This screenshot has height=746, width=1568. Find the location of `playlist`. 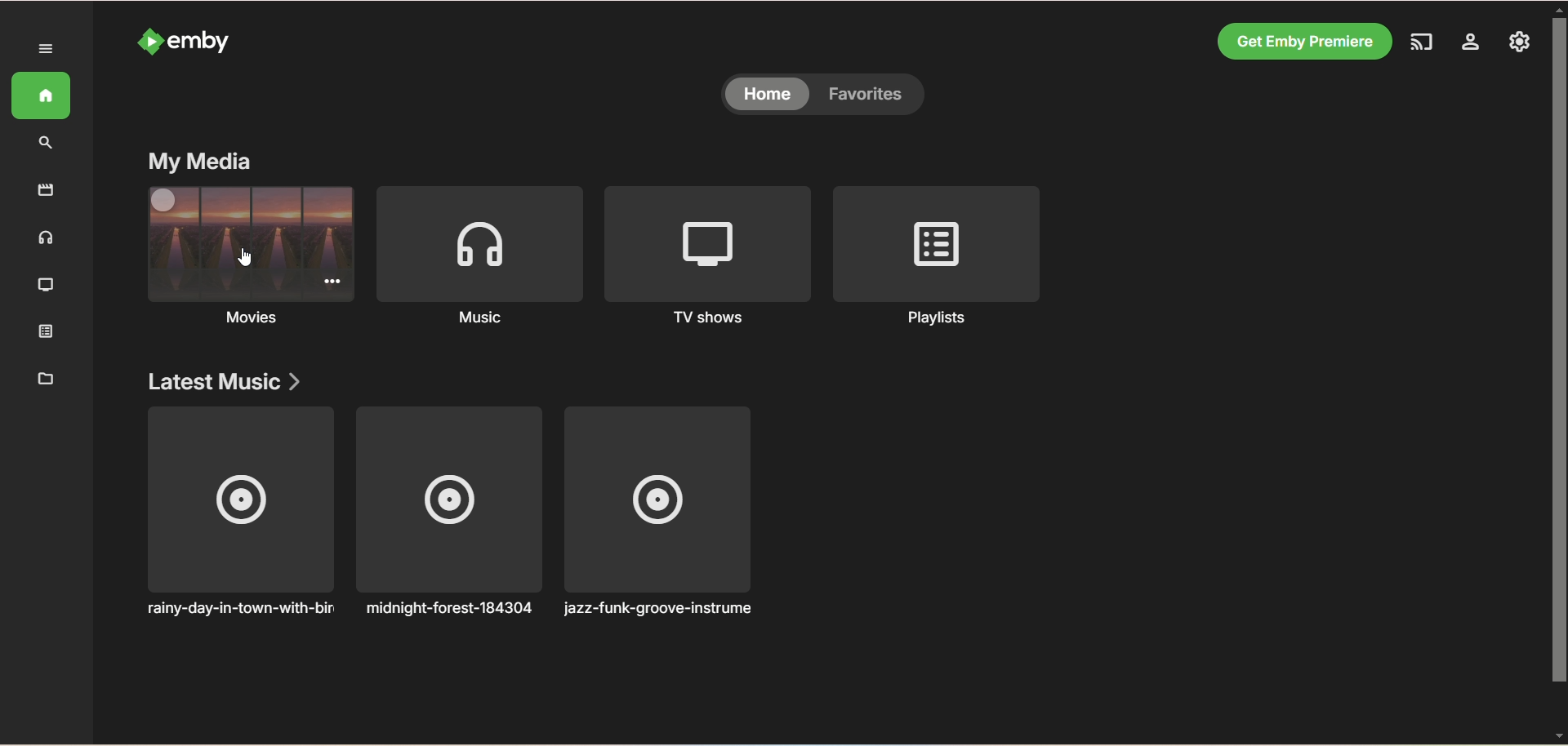

playlist is located at coordinates (42, 332).